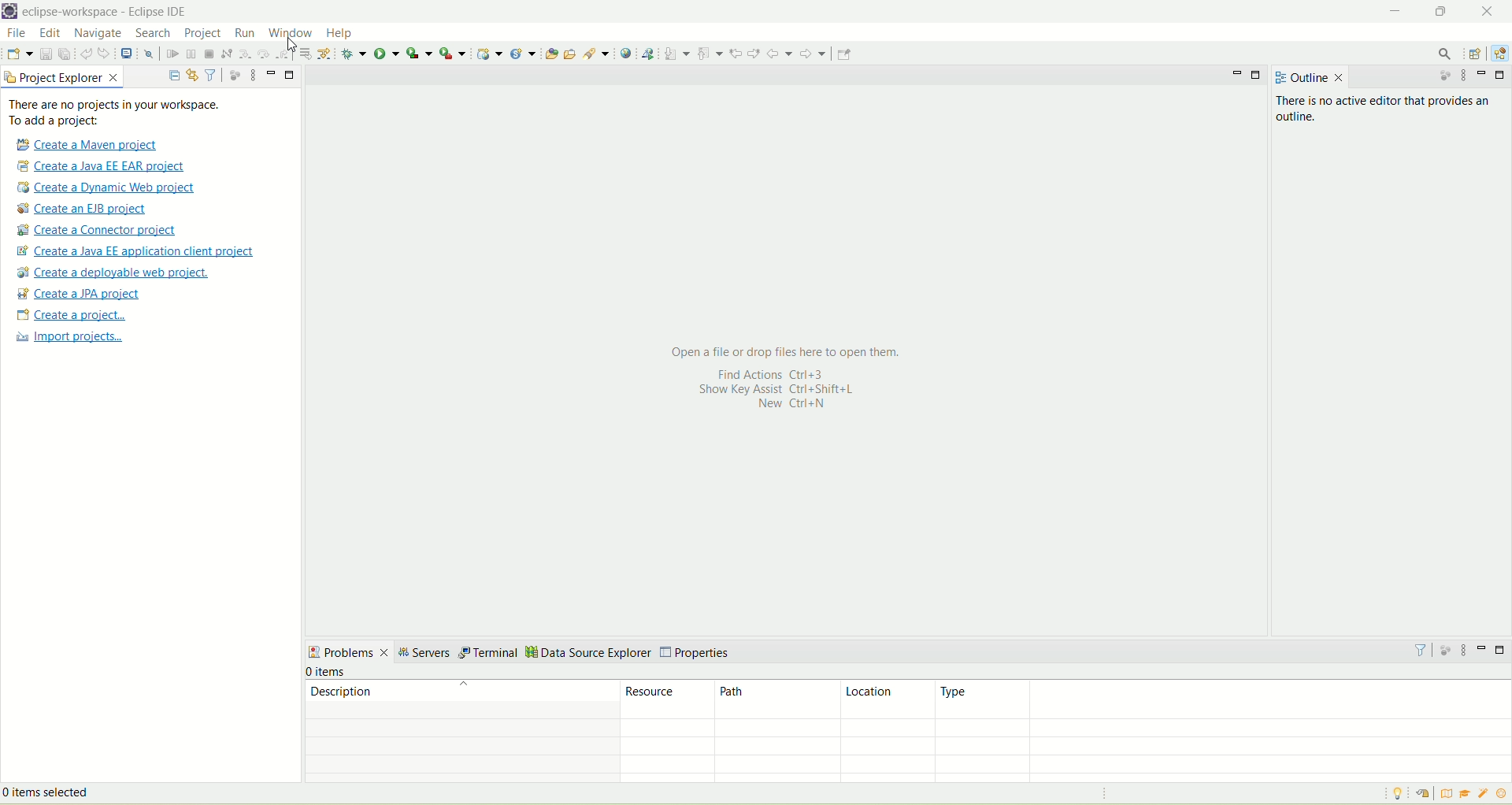 This screenshot has height=805, width=1512. I want to click on help, so click(339, 32).